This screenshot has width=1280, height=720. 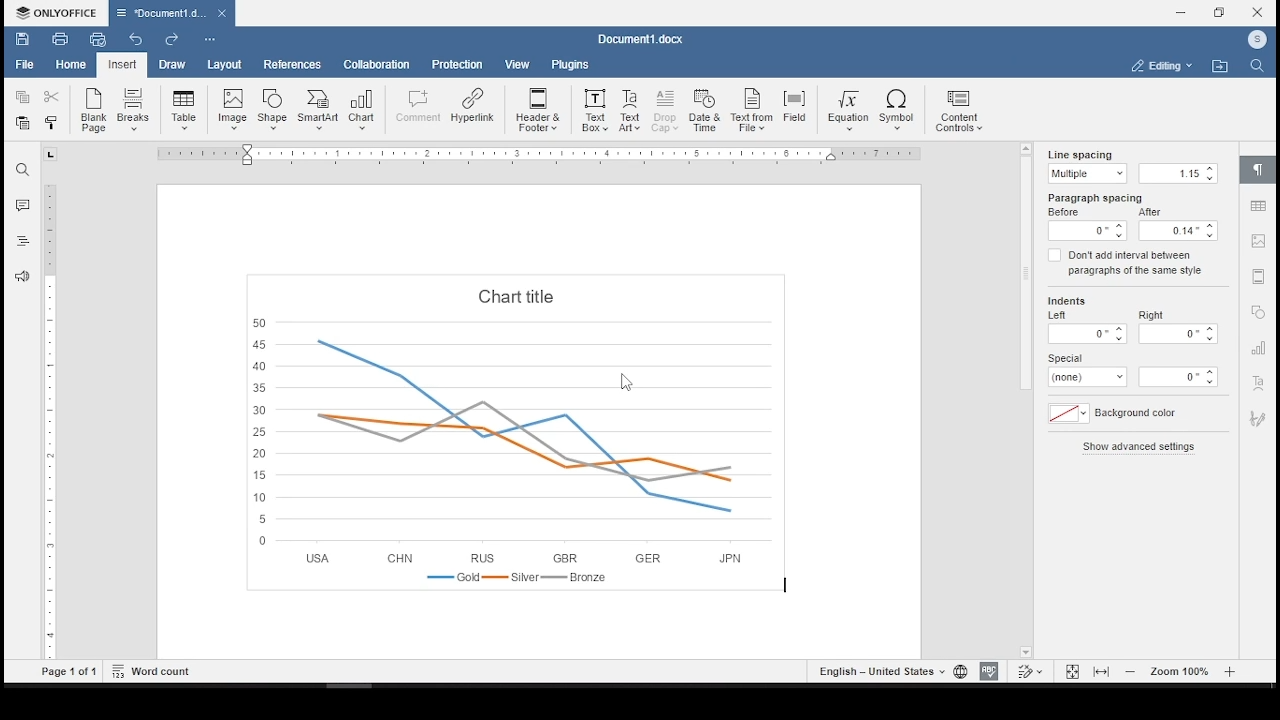 I want to click on after, so click(x=1177, y=223).